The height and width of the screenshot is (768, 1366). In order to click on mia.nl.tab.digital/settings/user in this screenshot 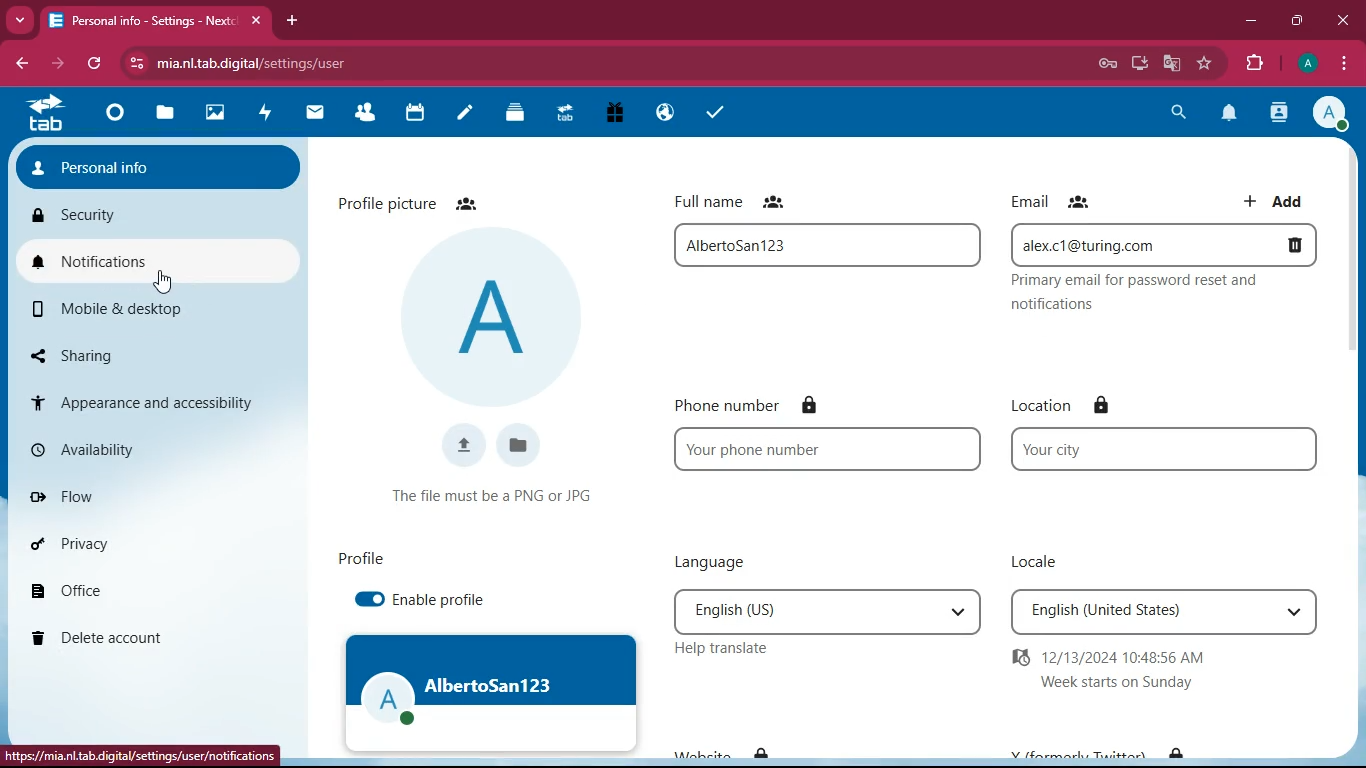, I will do `click(271, 65)`.